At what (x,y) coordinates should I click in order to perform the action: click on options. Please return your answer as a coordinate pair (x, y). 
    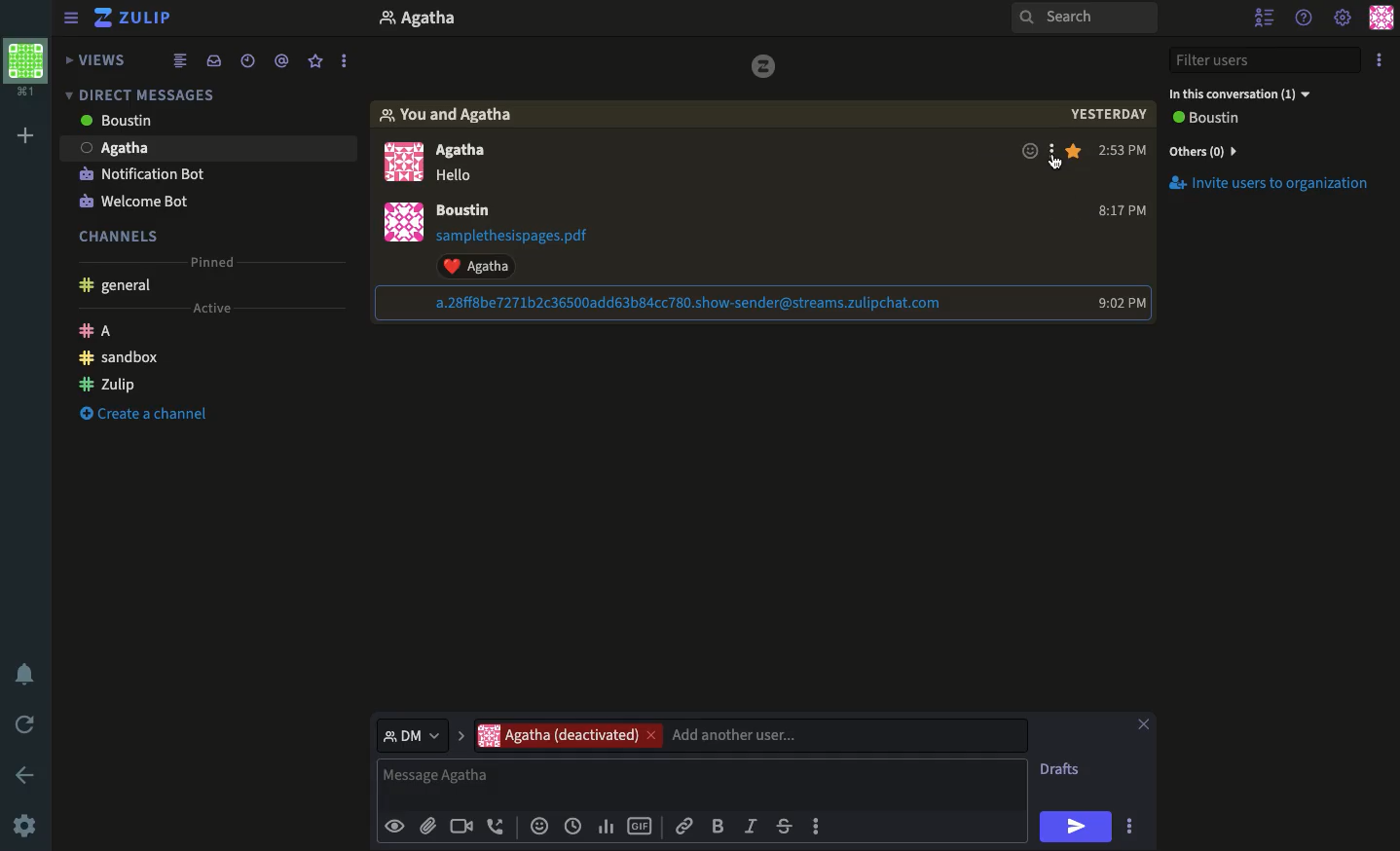
    Looking at the image, I should click on (1056, 156).